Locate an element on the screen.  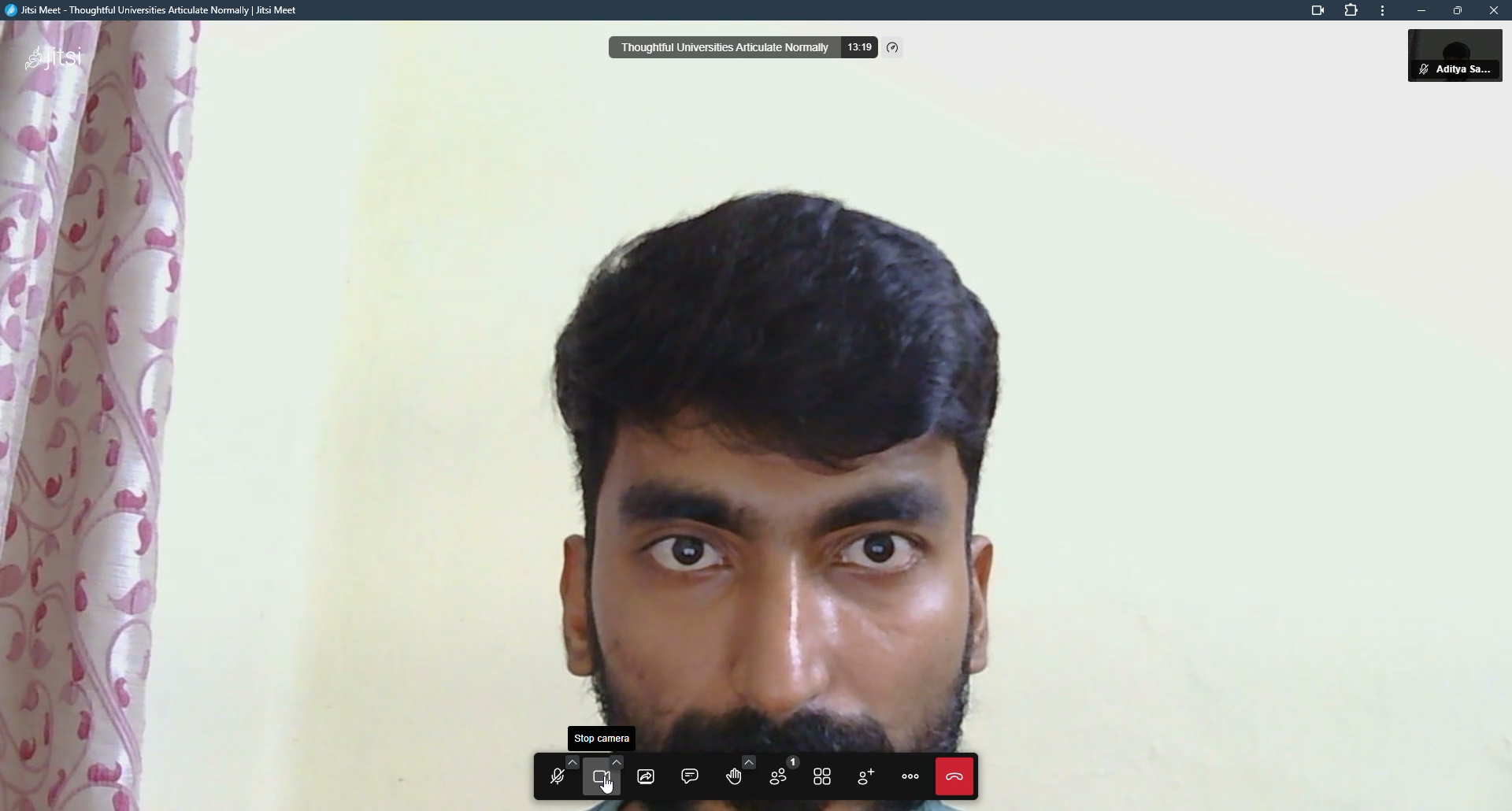
toggle title view is located at coordinates (822, 776).